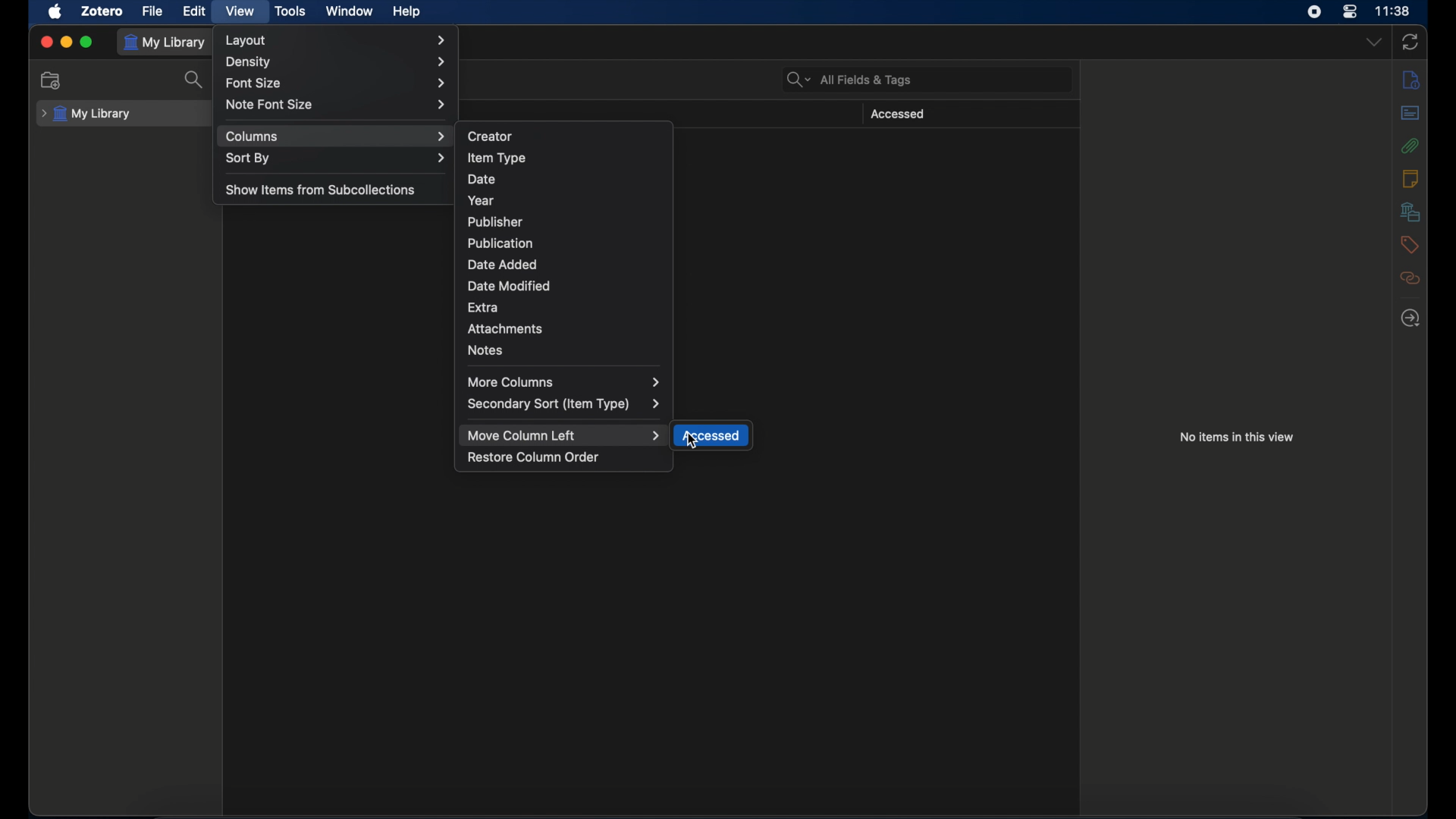 This screenshot has height=819, width=1456. What do you see at coordinates (510, 286) in the screenshot?
I see `date modified` at bounding box center [510, 286].